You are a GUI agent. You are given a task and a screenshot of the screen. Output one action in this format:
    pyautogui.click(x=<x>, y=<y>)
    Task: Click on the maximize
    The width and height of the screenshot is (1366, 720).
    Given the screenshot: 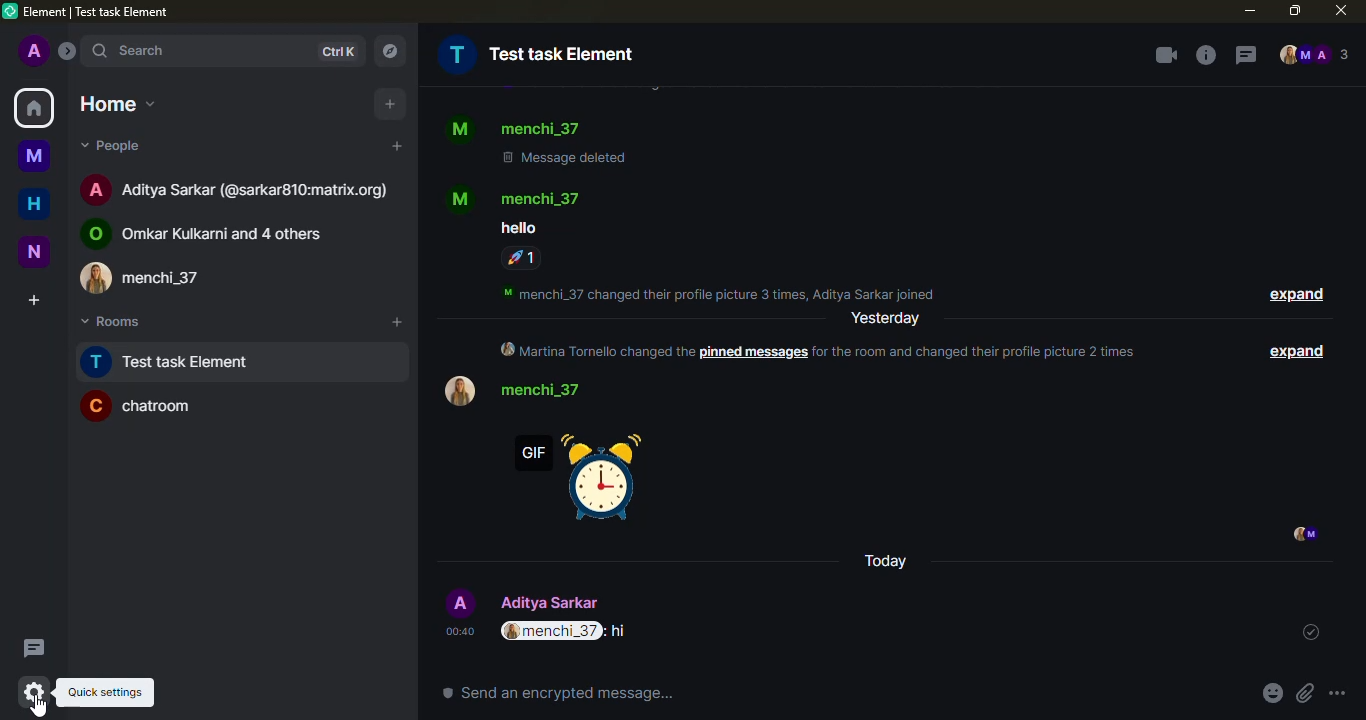 What is the action you would take?
    pyautogui.click(x=1294, y=9)
    